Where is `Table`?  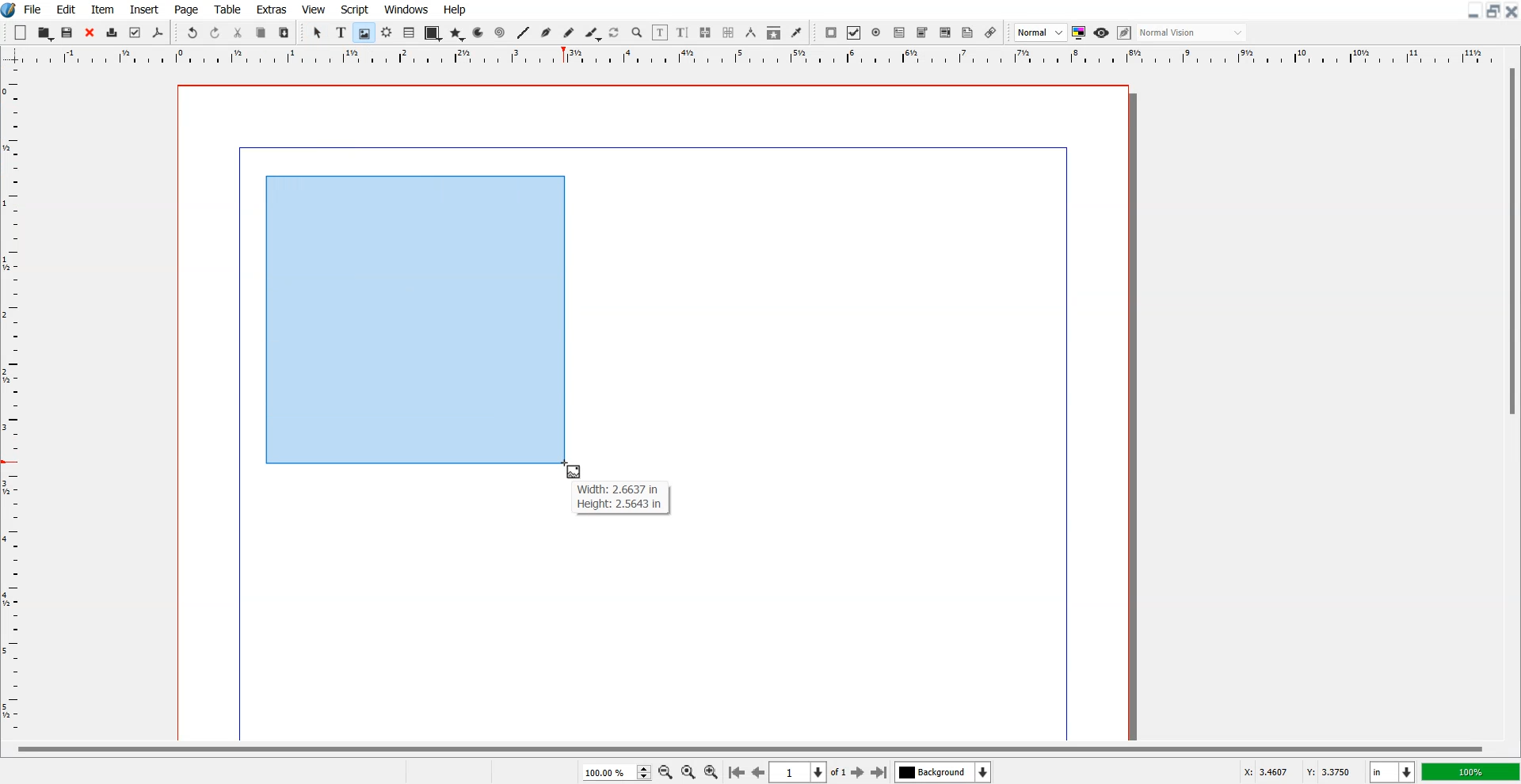
Table is located at coordinates (409, 33).